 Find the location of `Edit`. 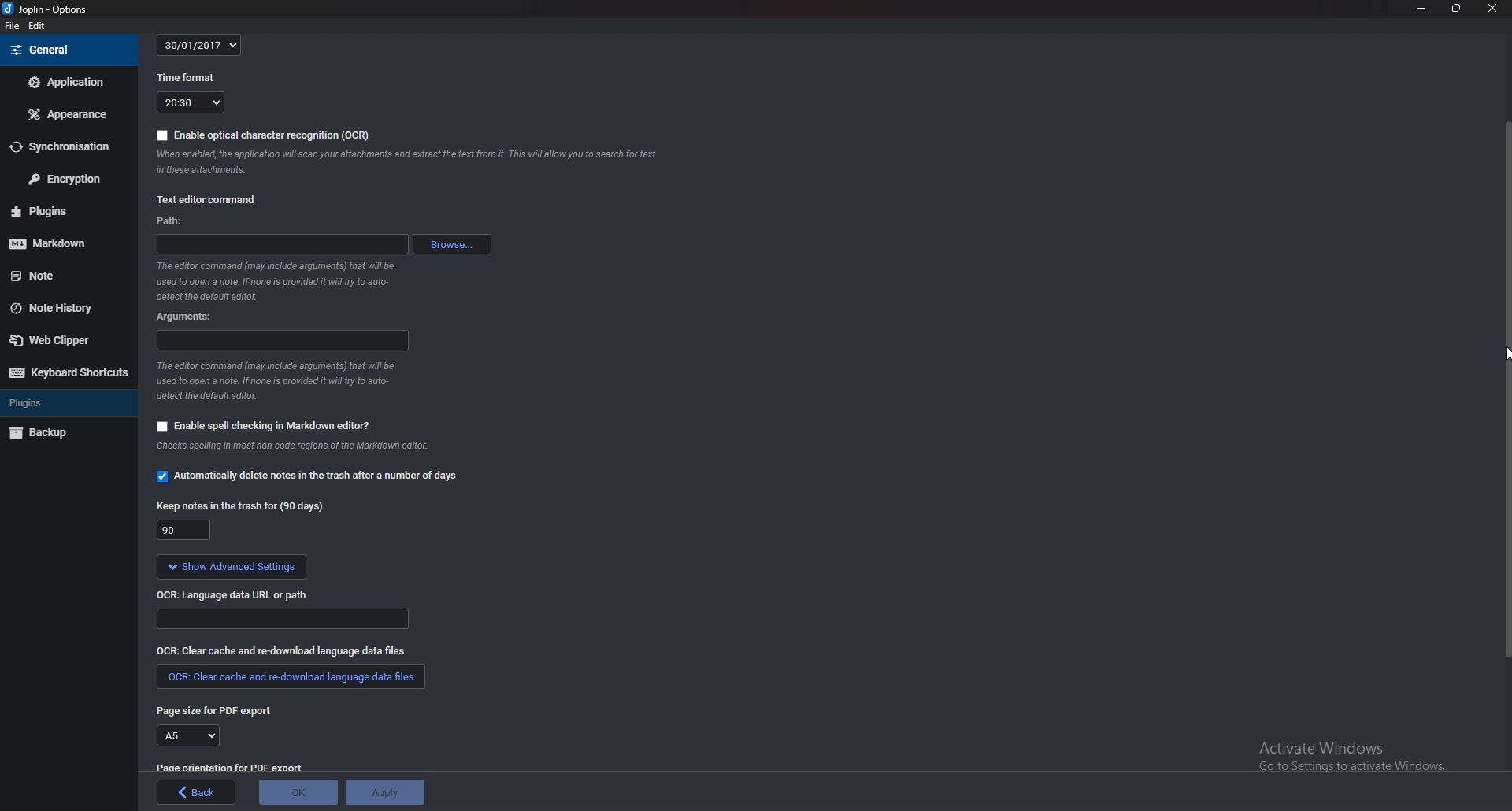

Edit is located at coordinates (38, 26).